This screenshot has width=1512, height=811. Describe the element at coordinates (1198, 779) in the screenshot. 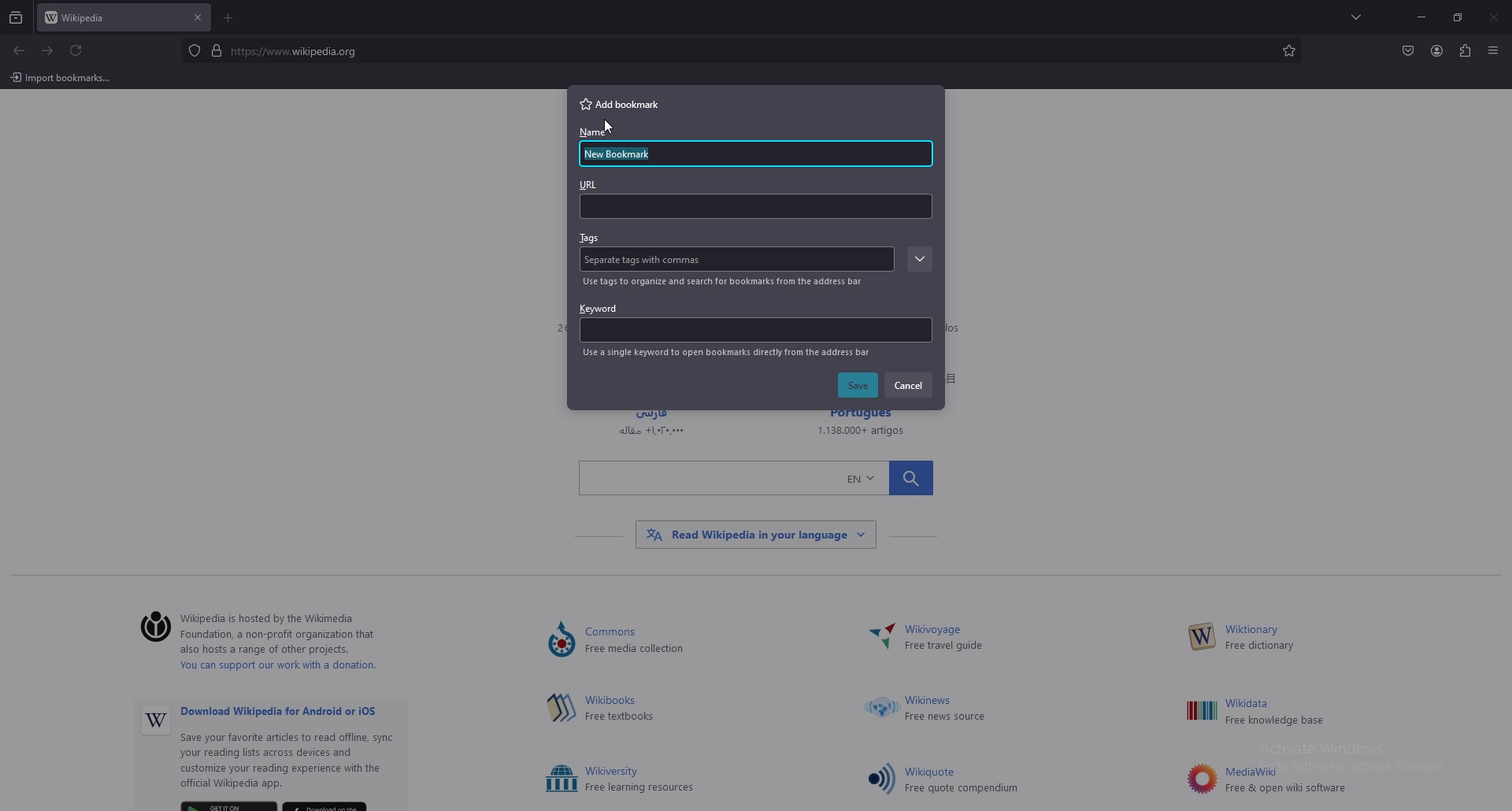

I see `` at that location.